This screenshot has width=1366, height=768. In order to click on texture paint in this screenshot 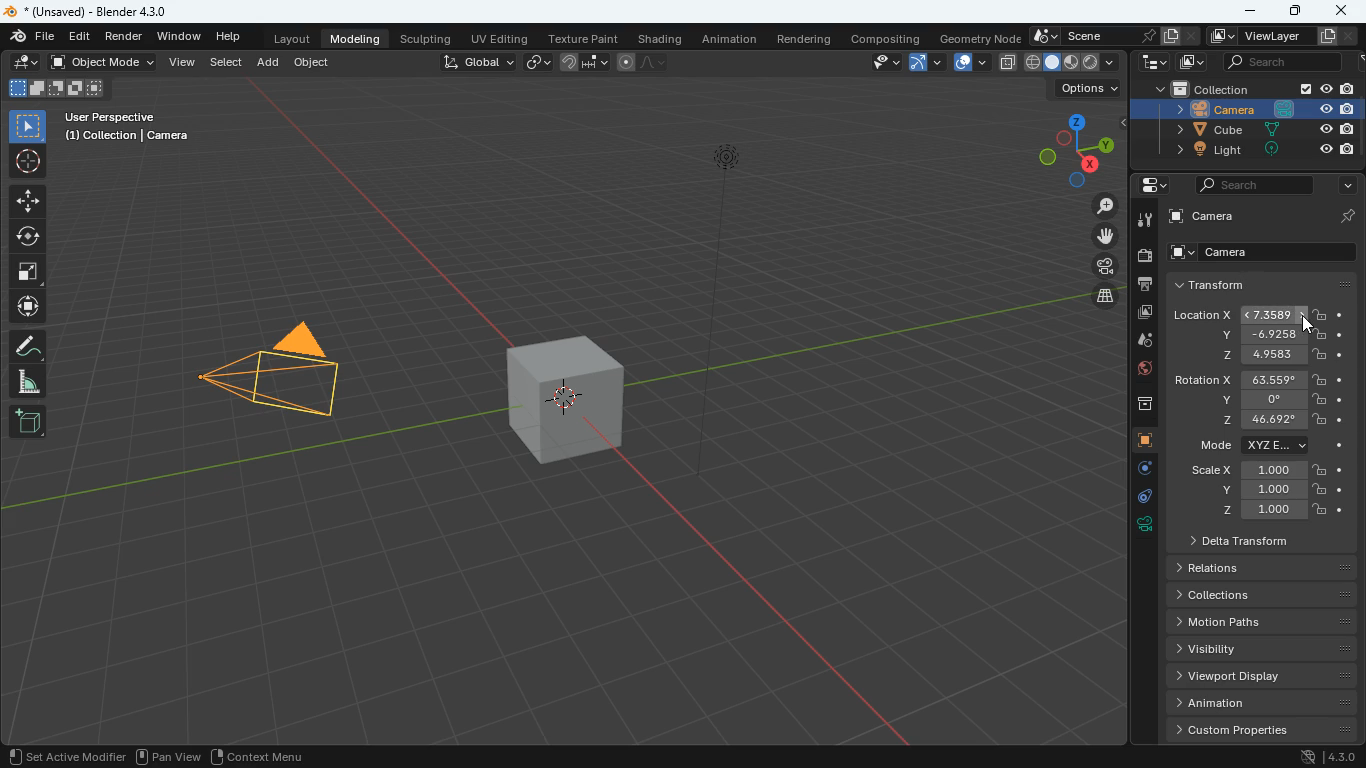, I will do `click(583, 38)`.